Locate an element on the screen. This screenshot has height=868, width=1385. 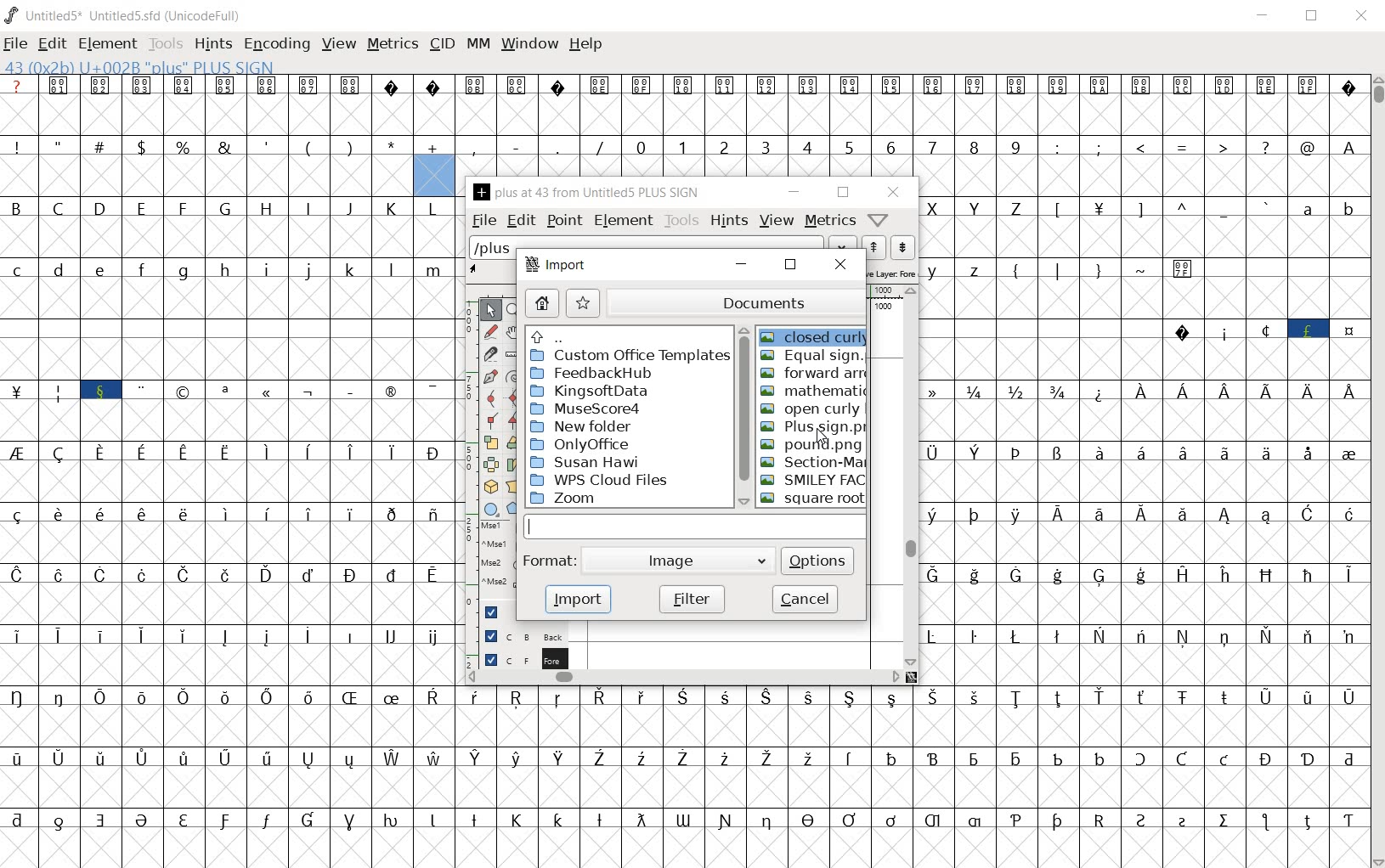
perform a perspective transformation on the selection is located at coordinates (514, 486).